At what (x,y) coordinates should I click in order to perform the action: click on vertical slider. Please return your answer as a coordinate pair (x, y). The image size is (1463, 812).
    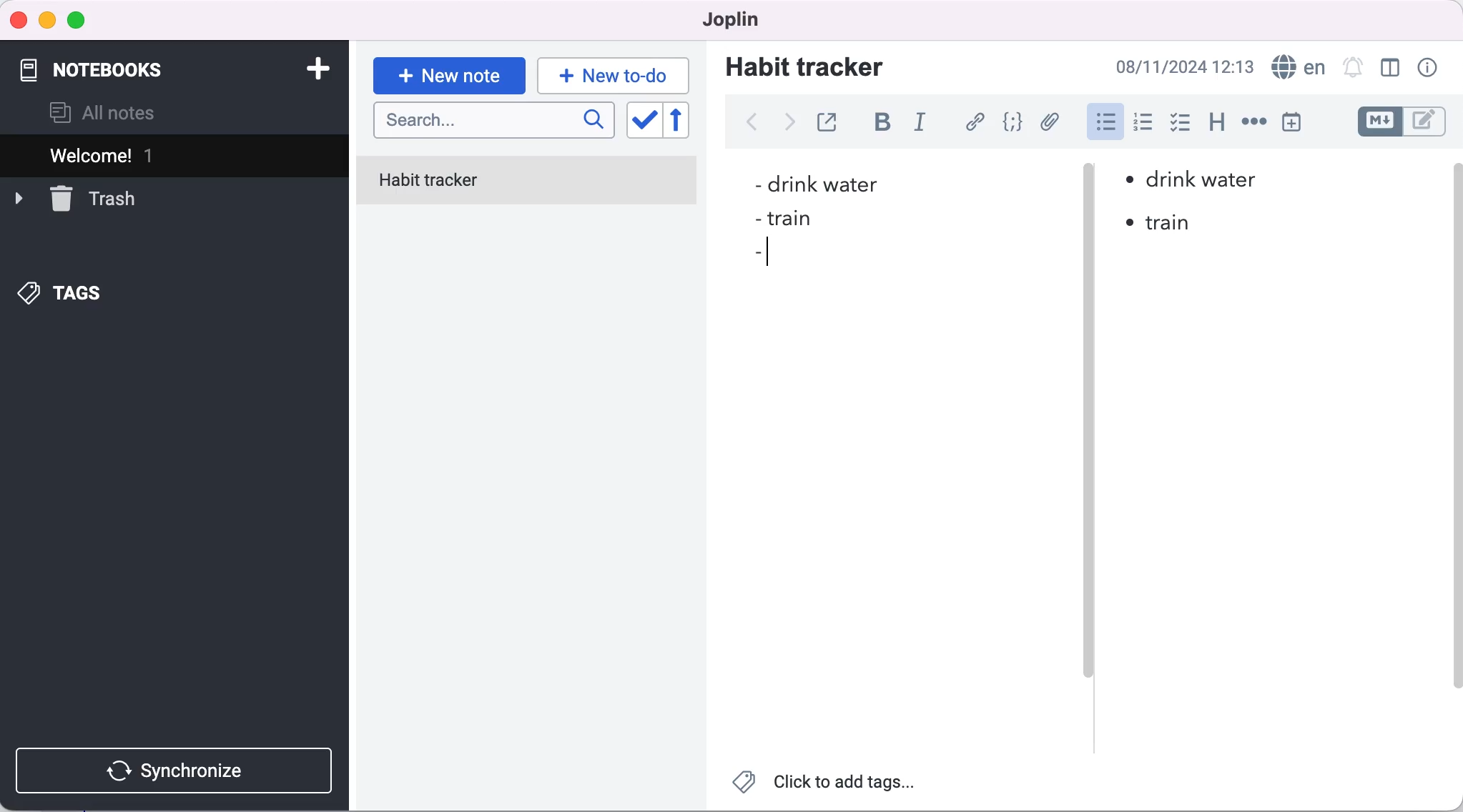
    Looking at the image, I should click on (1088, 450).